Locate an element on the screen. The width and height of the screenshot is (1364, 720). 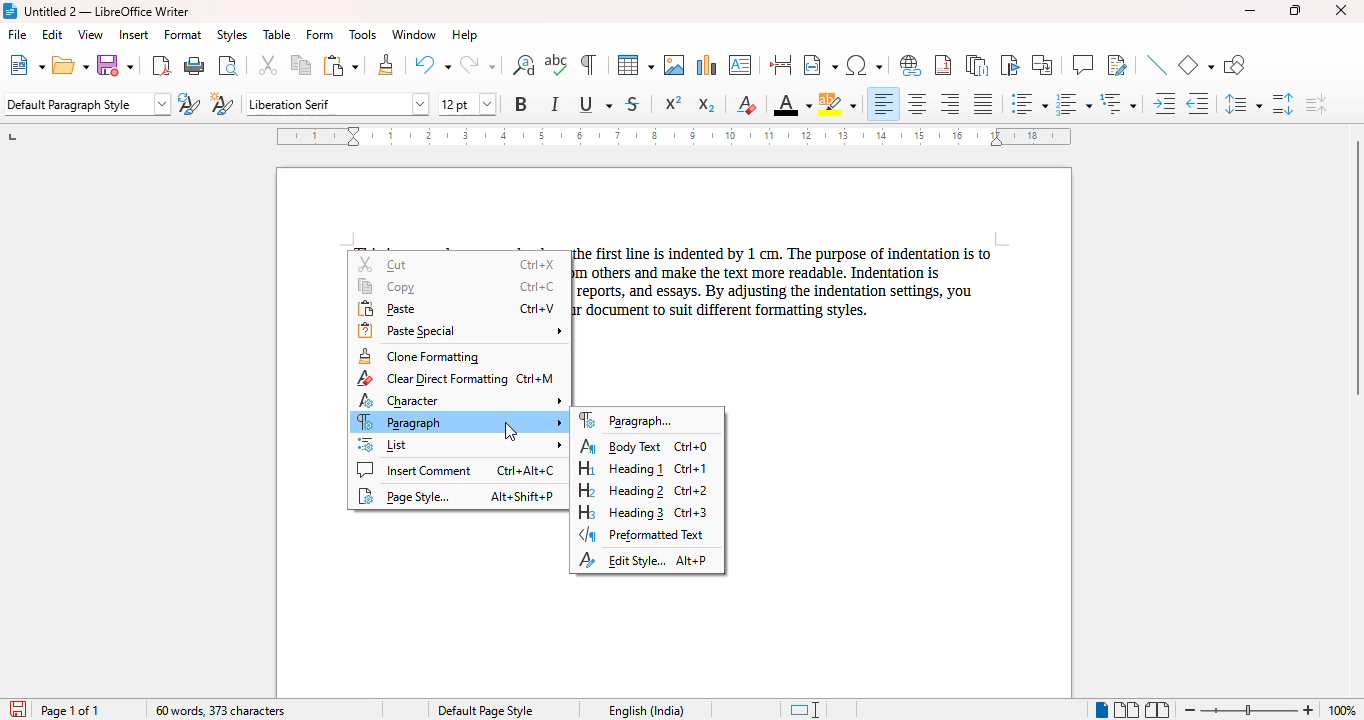
file is located at coordinates (17, 34).